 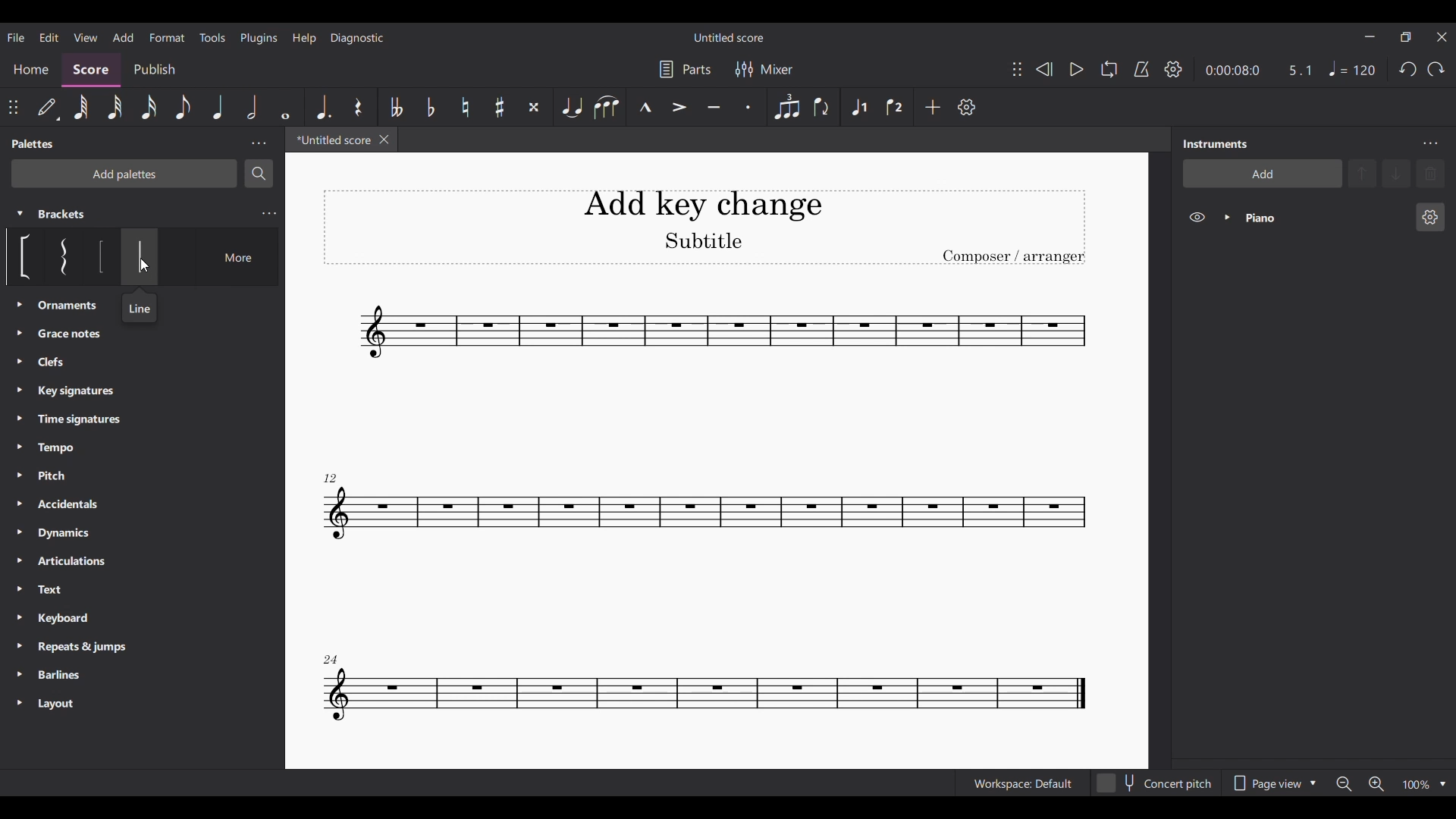 What do you see at coordinates (1043, 68) in the screenshot?
I see `Rewind` at bounding box center [1043, 68].